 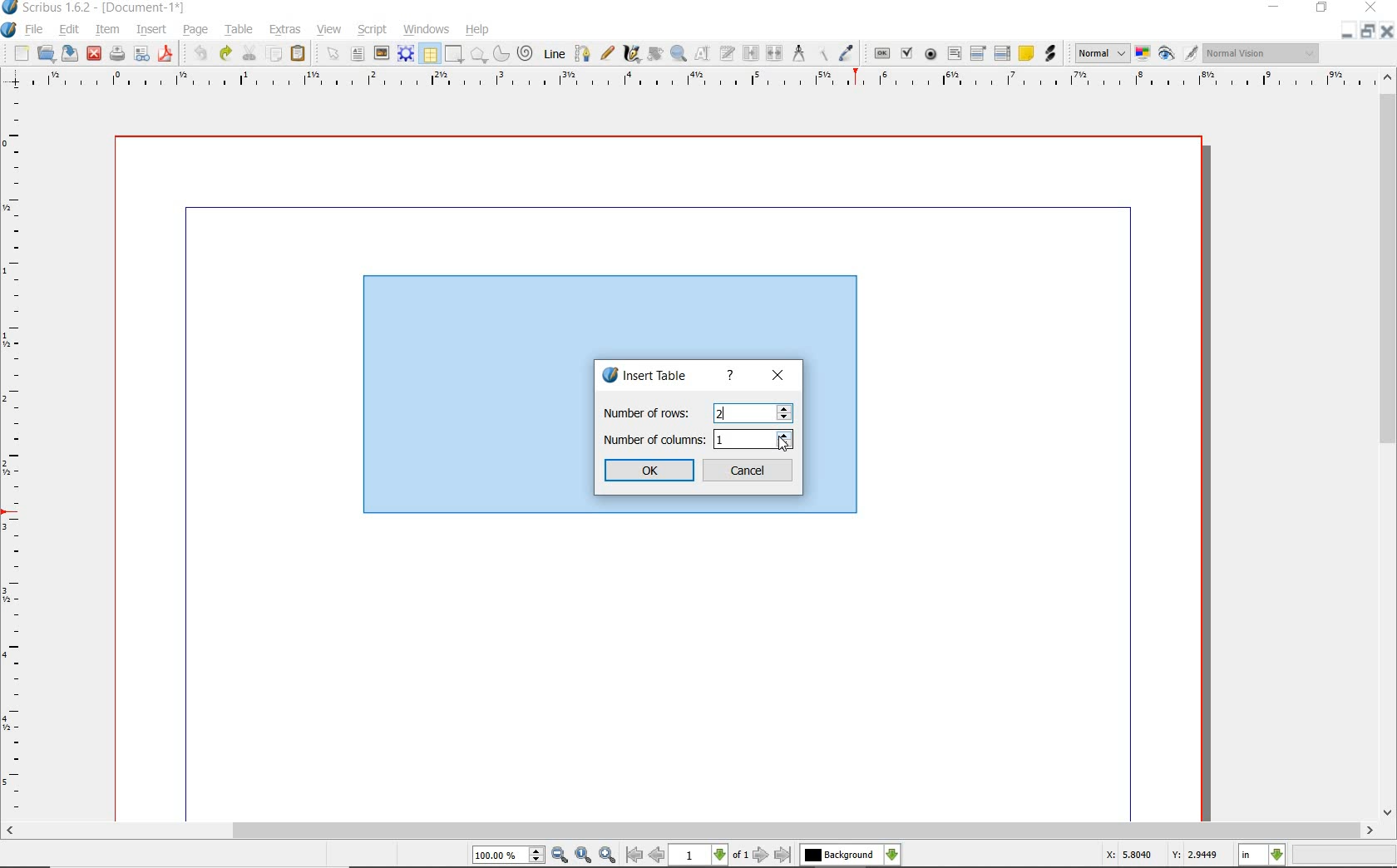 What do you see at coordinates (699, 440) in the screenshot?
I see `number of columns` at bounding box center [699, 440].